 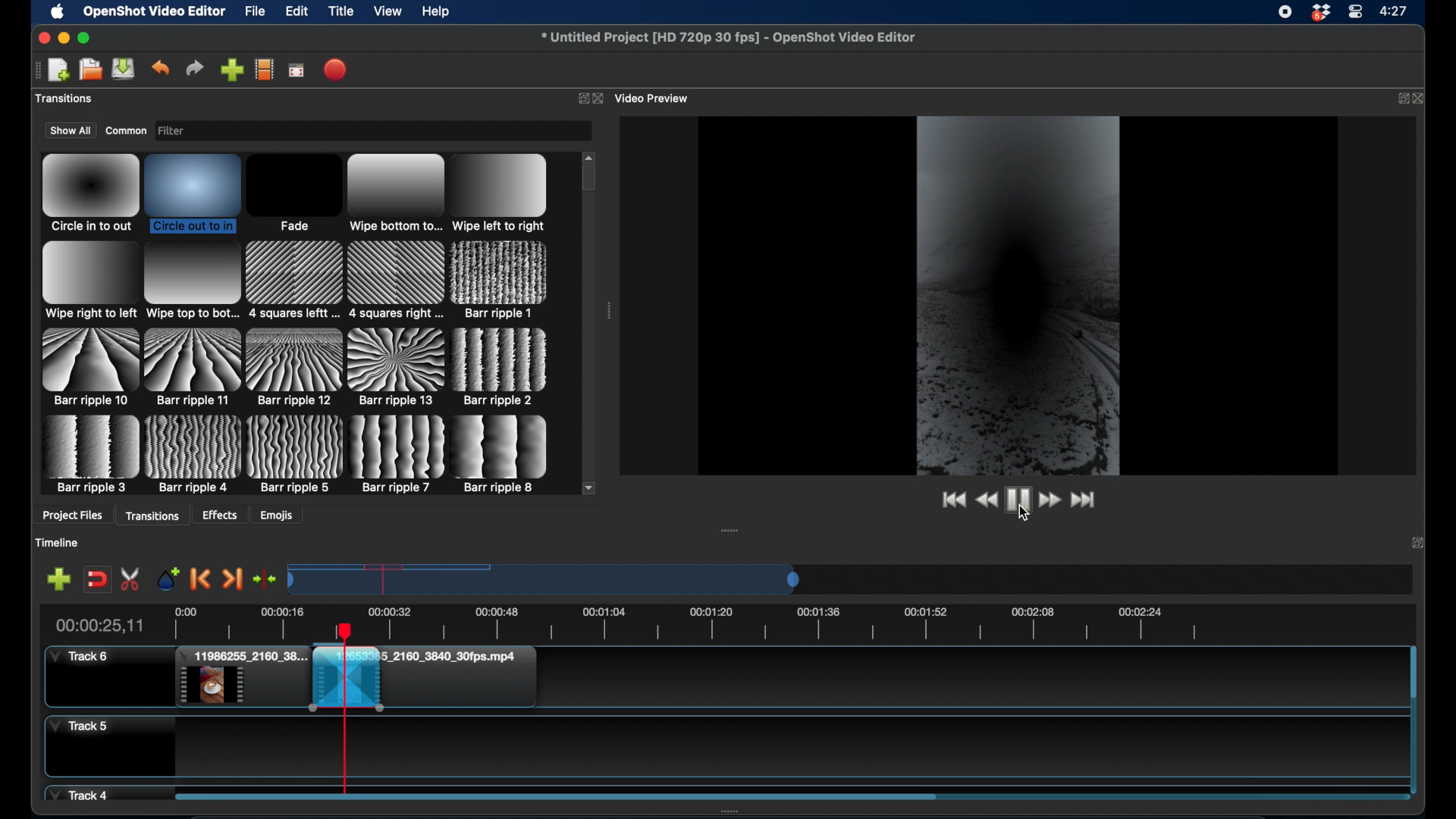 I want to click on scroll up arrow, so click(x=590, y=155).